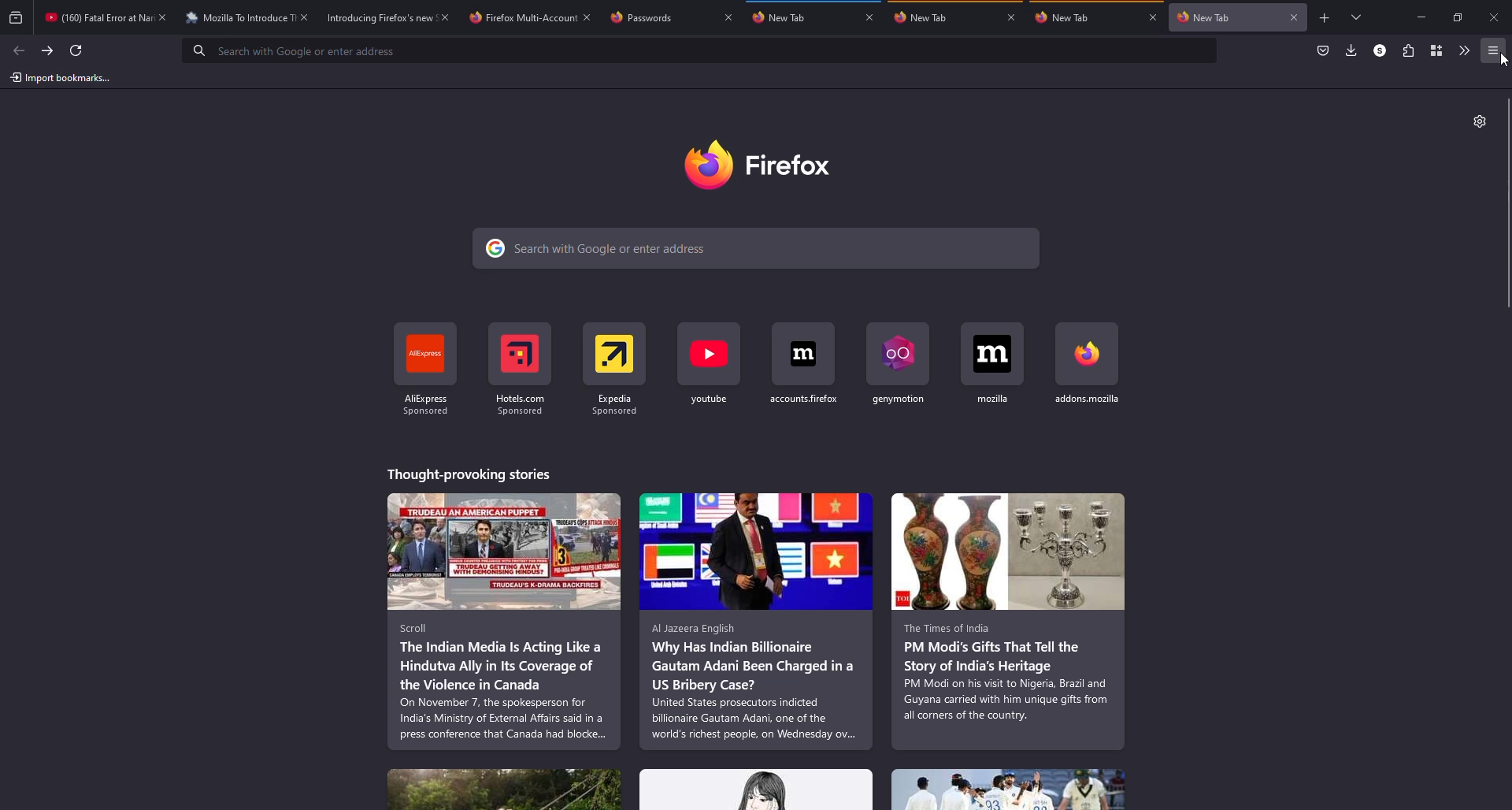  I want to click on tab, so click(780, 17).